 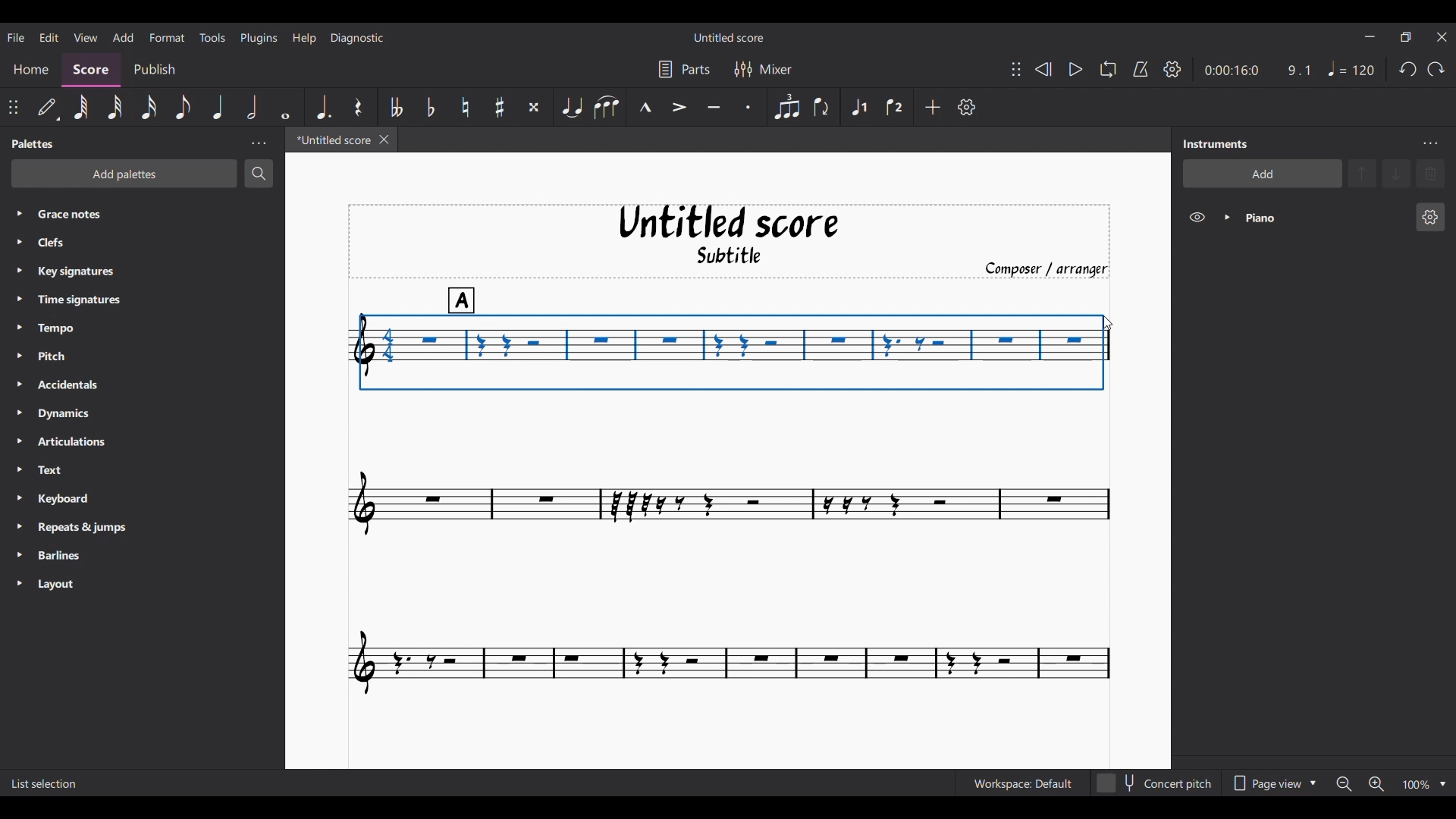 I want to click on Voice 2, so click(x=894, y=108).